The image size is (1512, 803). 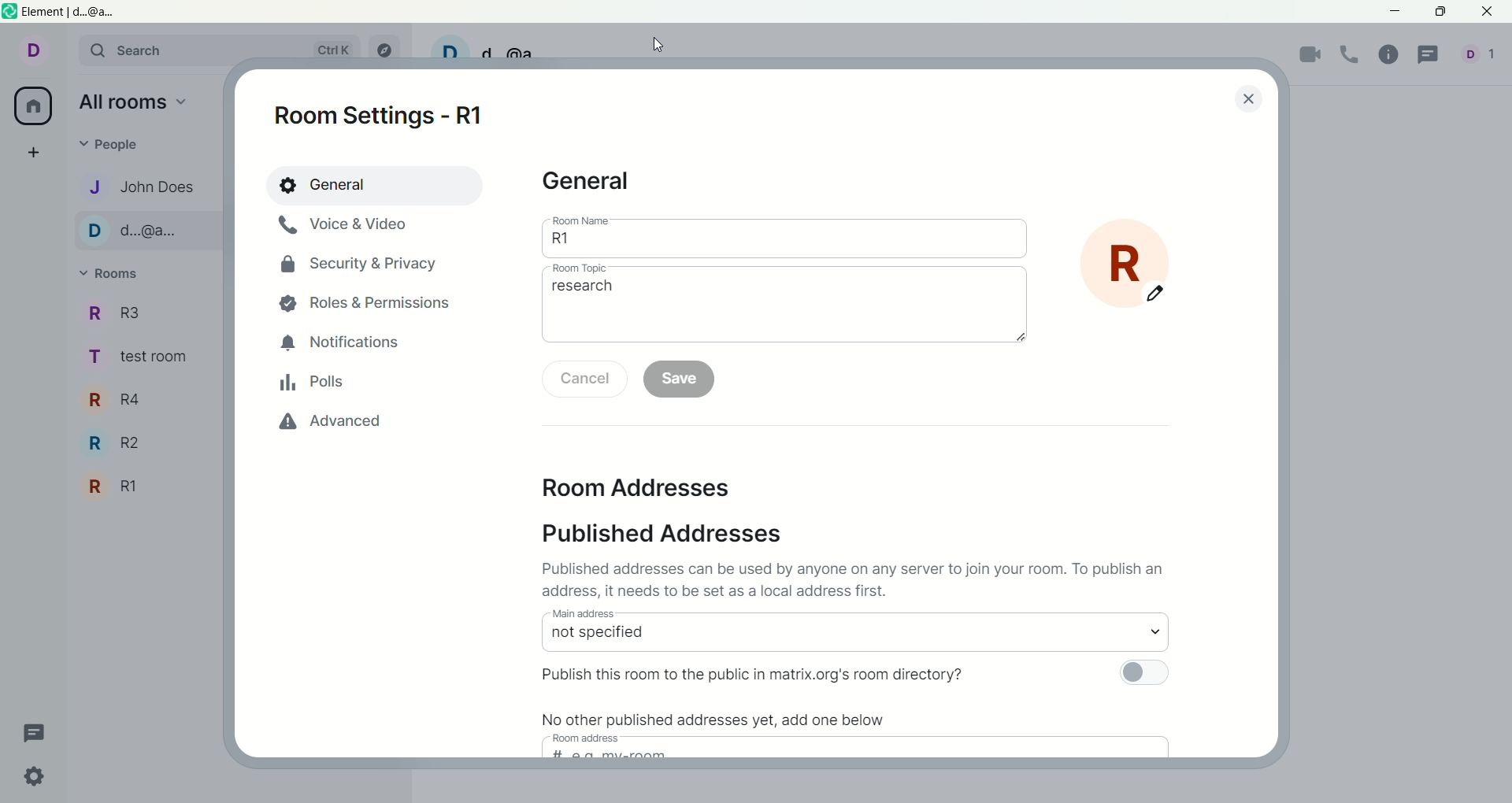 What do you see at coordinates (788, 242) in the screenshot?
I see `room name-r1` at bounding box center [788, 242].